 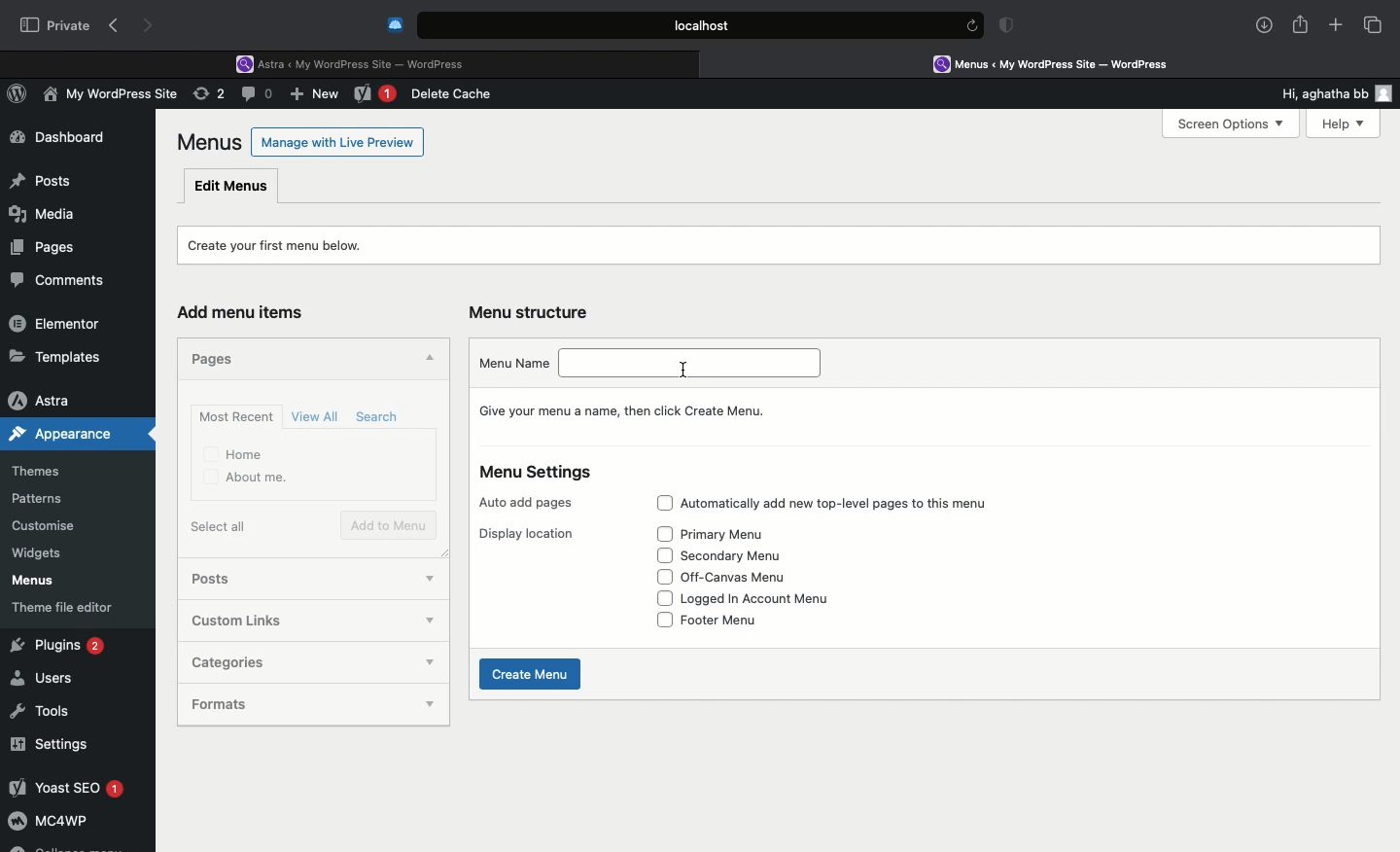 I want to click on Media, so click(x=45, y=211).